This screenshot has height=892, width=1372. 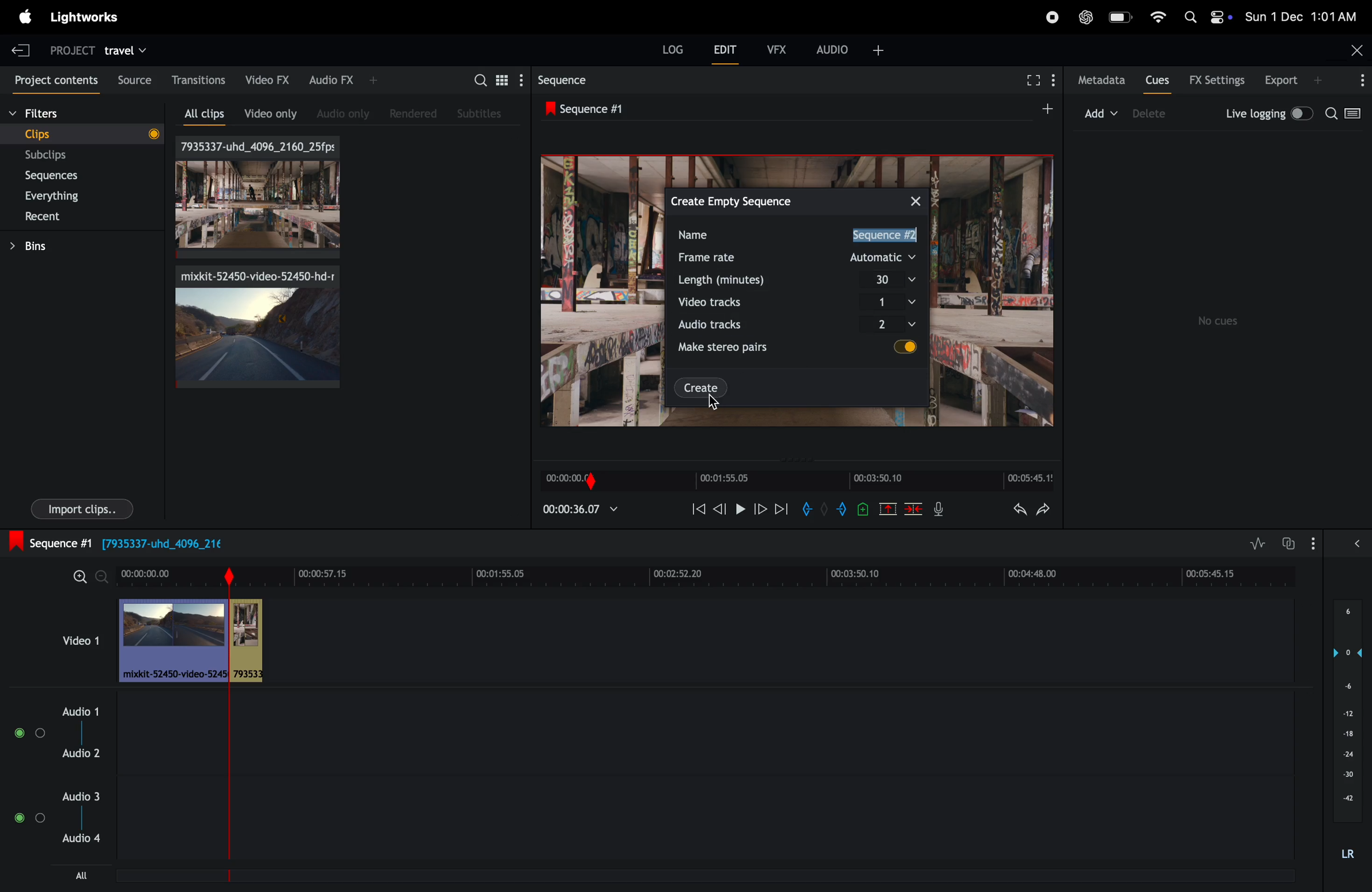 What do you see at coordinates (270, 112) in the screenshot?
I see `video only` at bounding box center [270, 112].